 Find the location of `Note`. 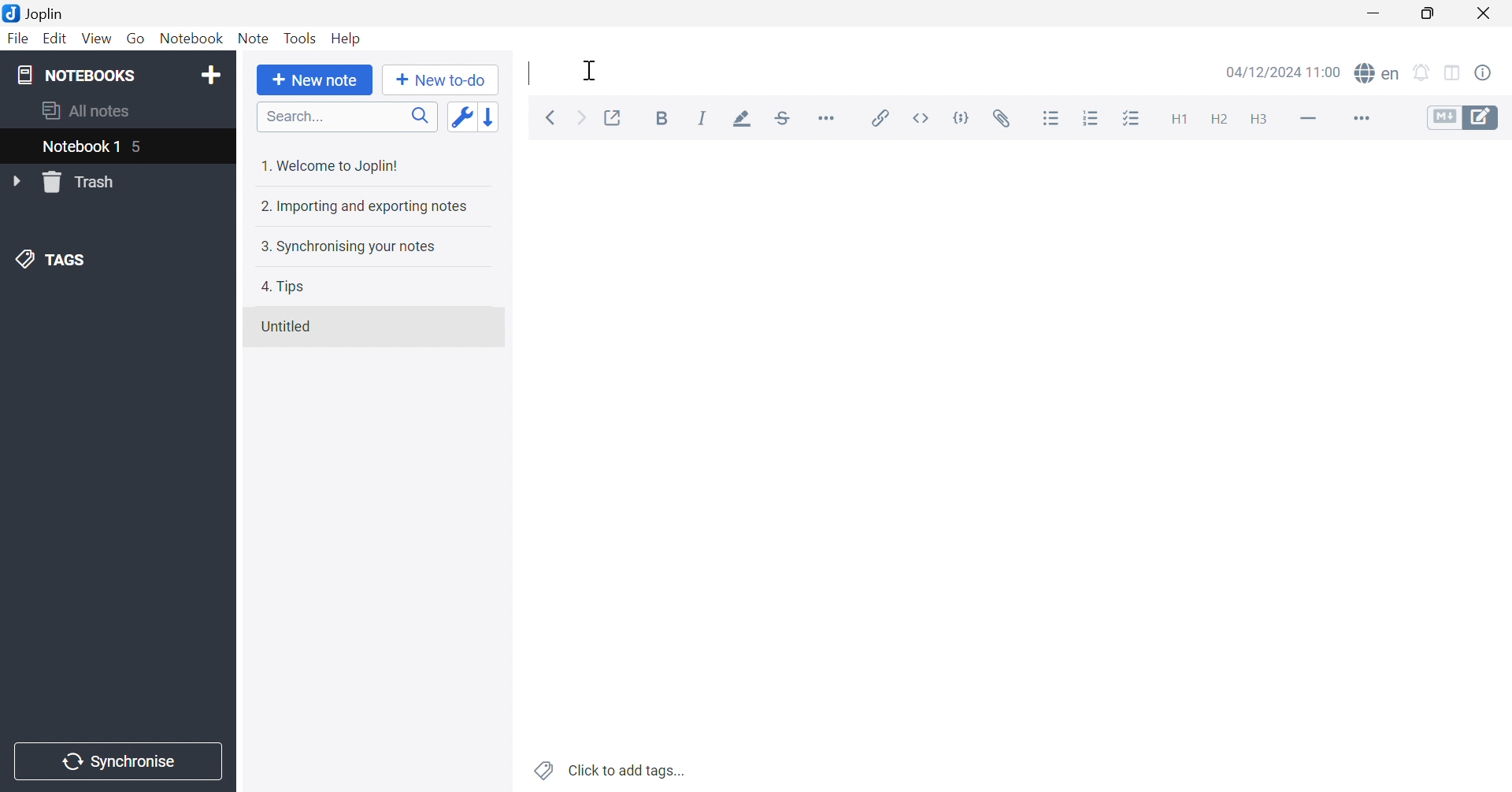

Note is located at coordinates (252, 39).